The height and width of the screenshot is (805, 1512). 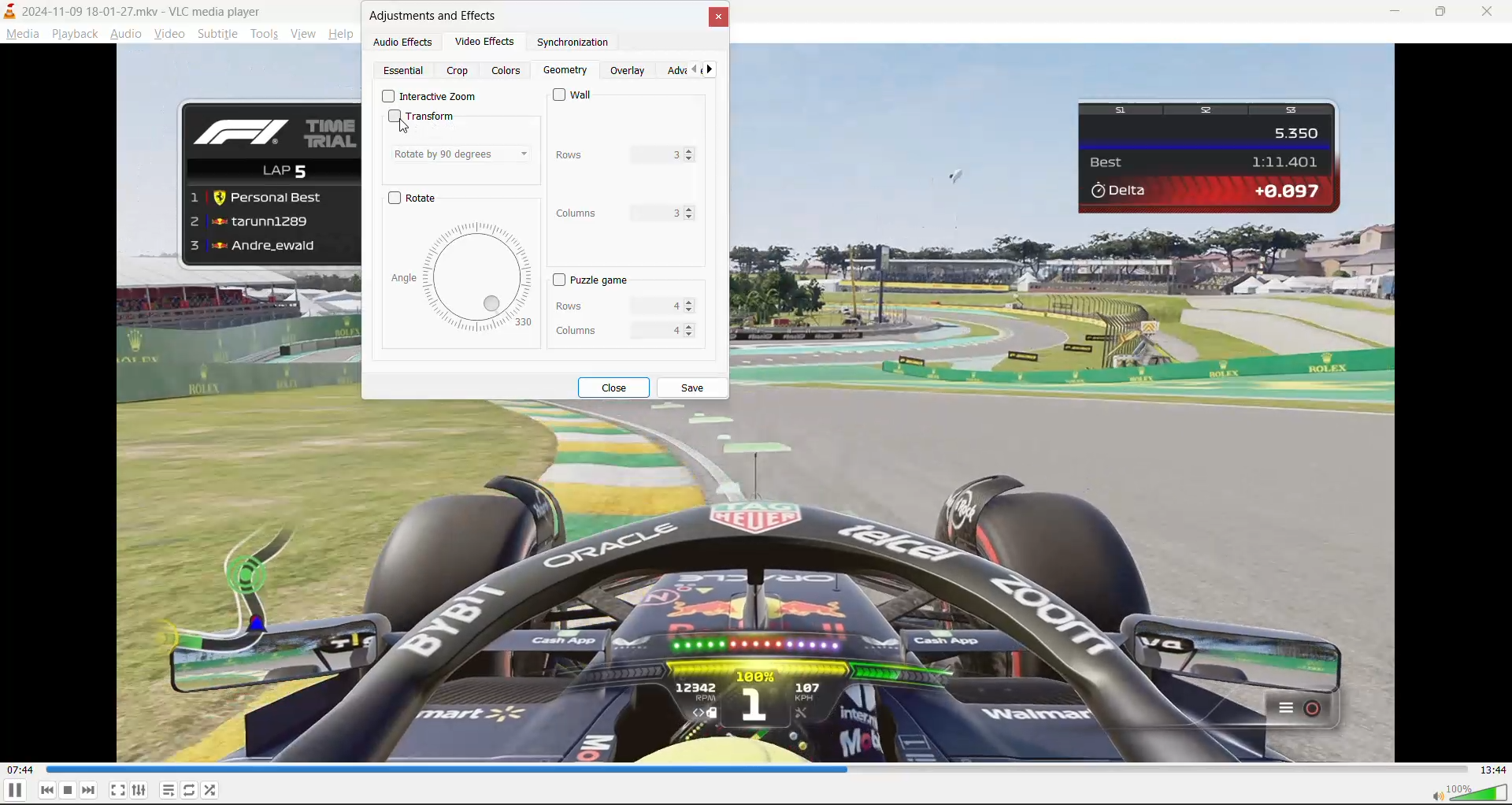 I want to click on save, so click(x=695, y=387).